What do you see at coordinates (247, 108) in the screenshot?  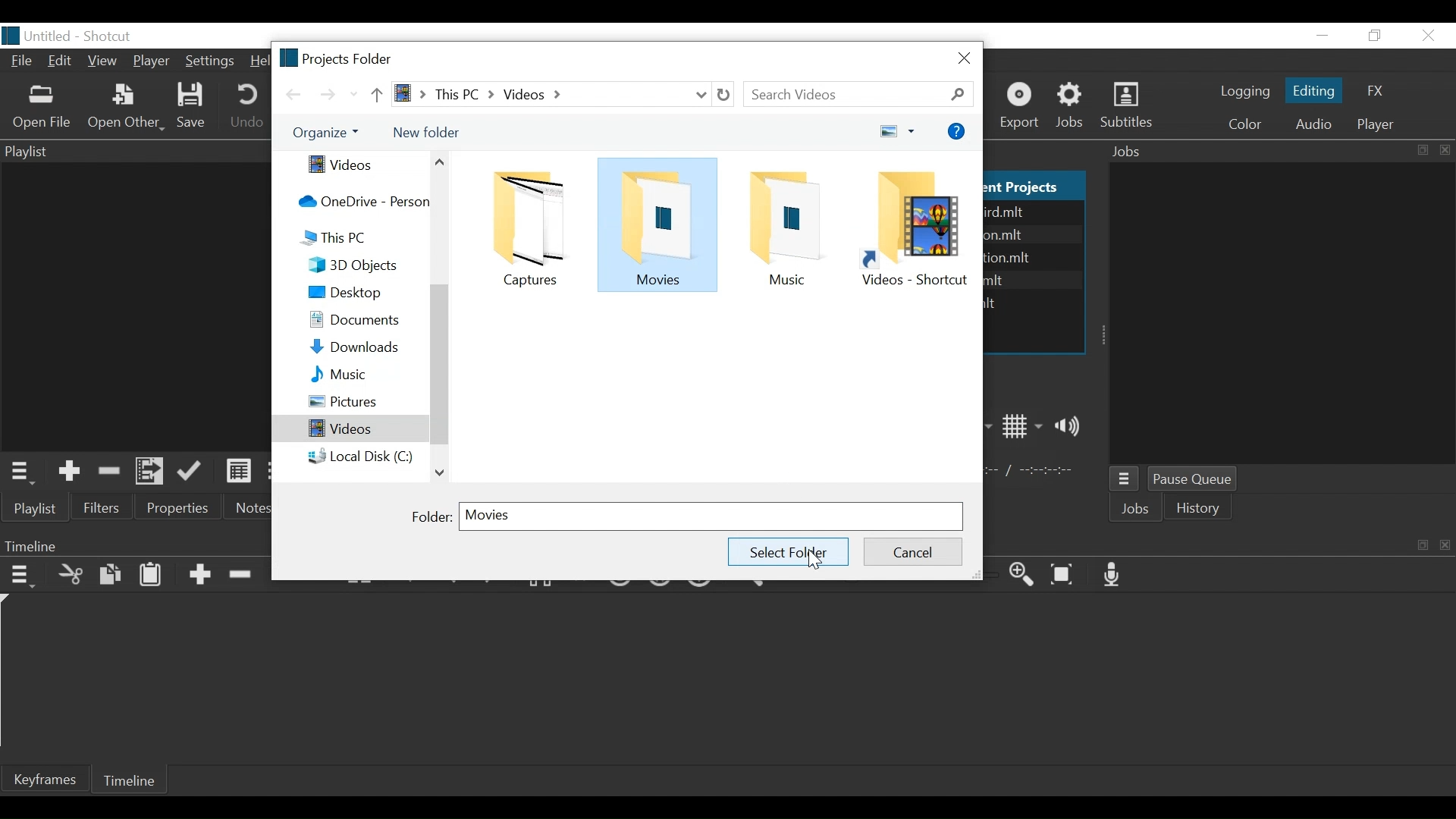 I see `Undo` at bounding box center [247, 108].